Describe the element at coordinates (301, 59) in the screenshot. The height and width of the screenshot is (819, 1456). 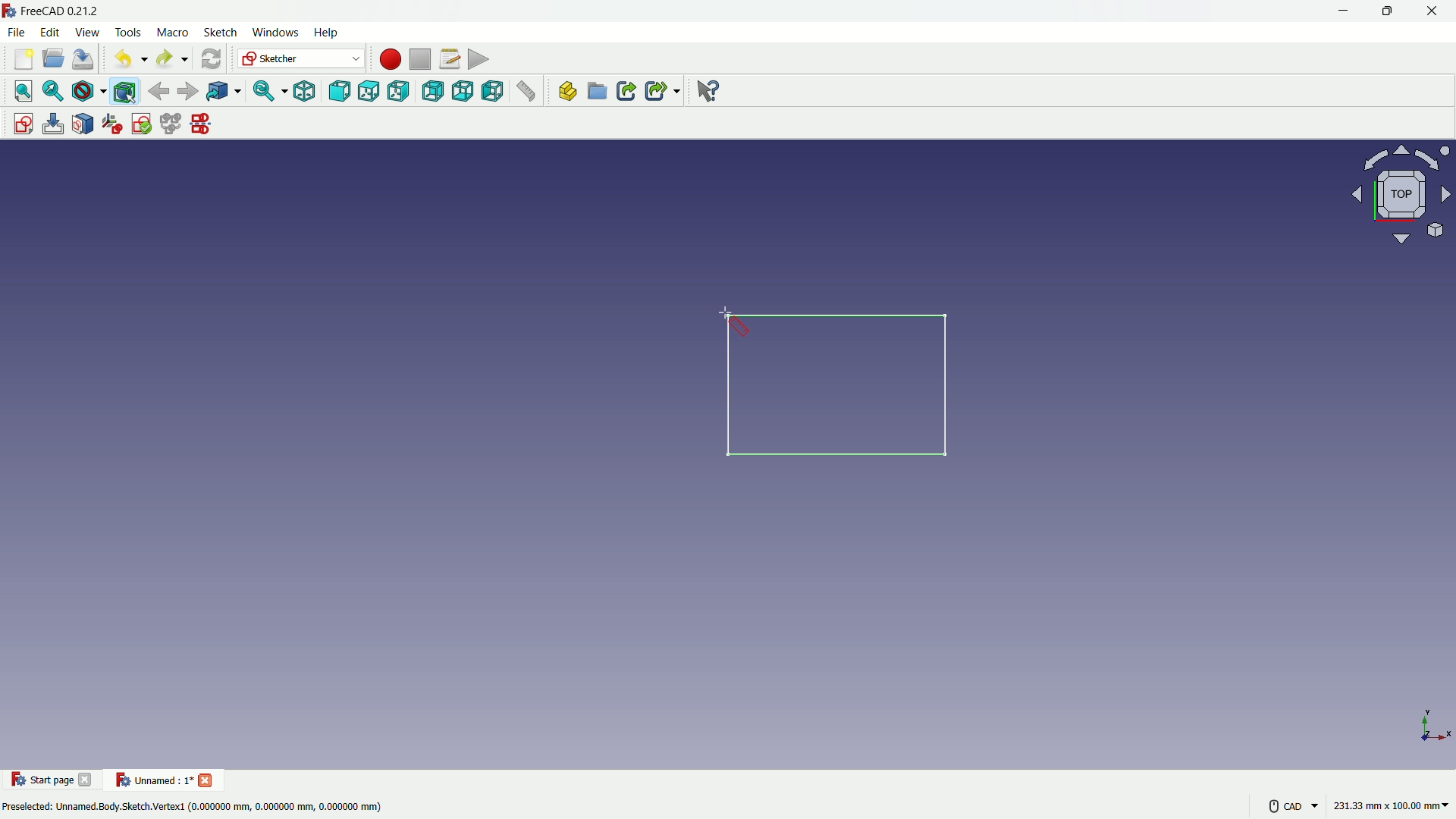
I see `switch workbenches` at that location.